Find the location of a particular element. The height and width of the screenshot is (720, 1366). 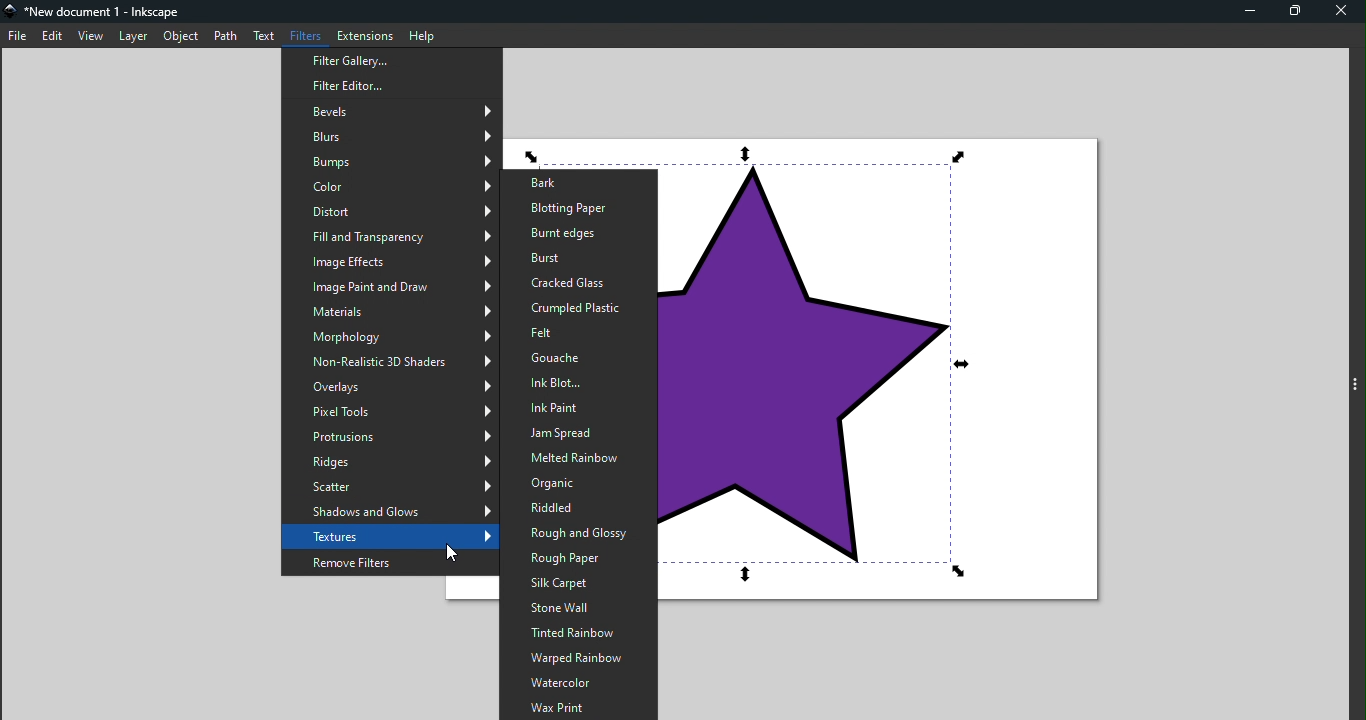

File name is located at coordinates (96, 10).